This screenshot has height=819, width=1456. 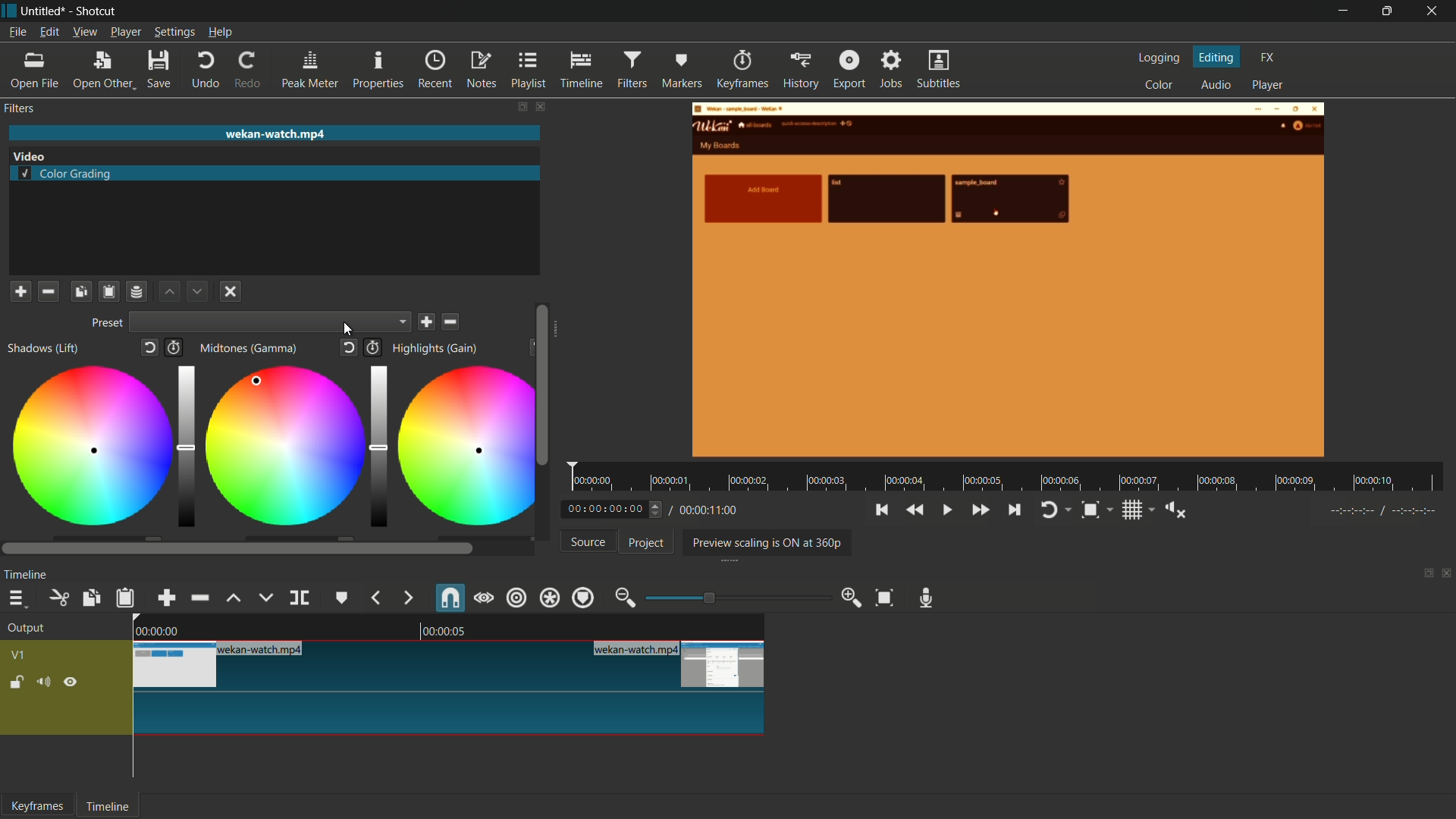 What do you see at coordinates (708, 510) in the screenshot?
I see `total time` at bounding box center [708, 510].